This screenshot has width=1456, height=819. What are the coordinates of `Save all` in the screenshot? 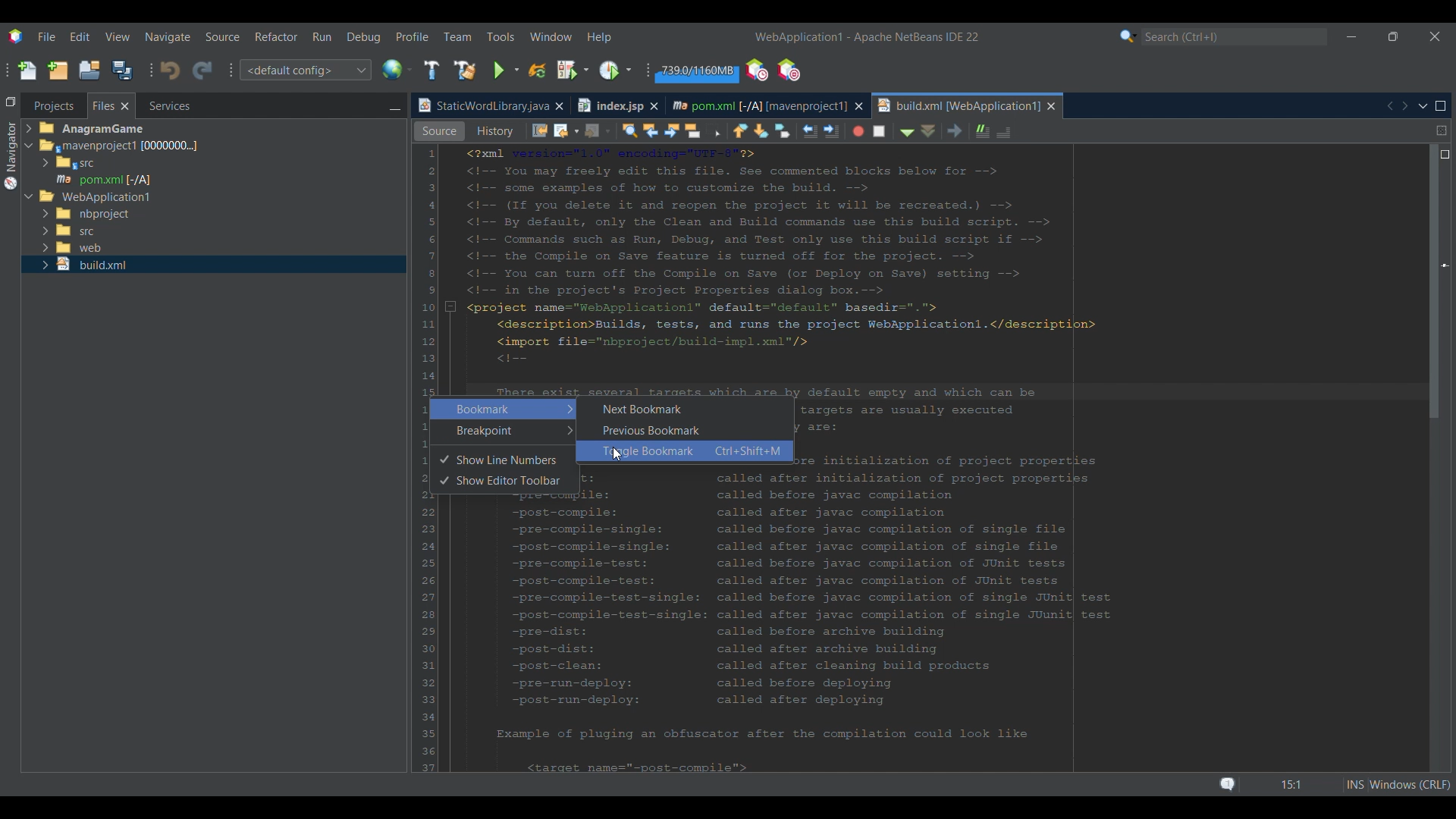 It's located at (122, 70).